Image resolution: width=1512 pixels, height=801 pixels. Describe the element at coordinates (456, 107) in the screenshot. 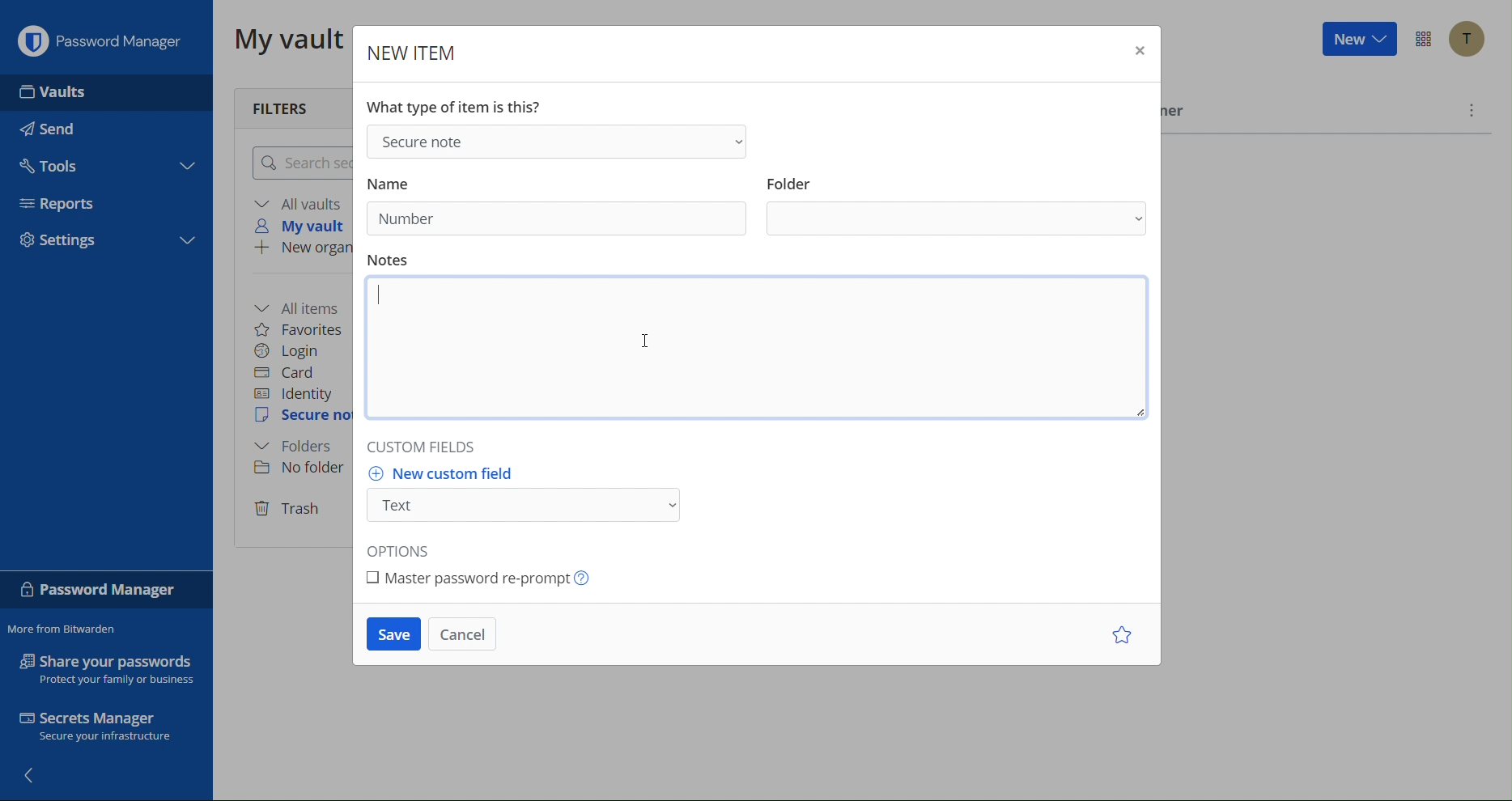

I see `What type of item is this?` at that location.